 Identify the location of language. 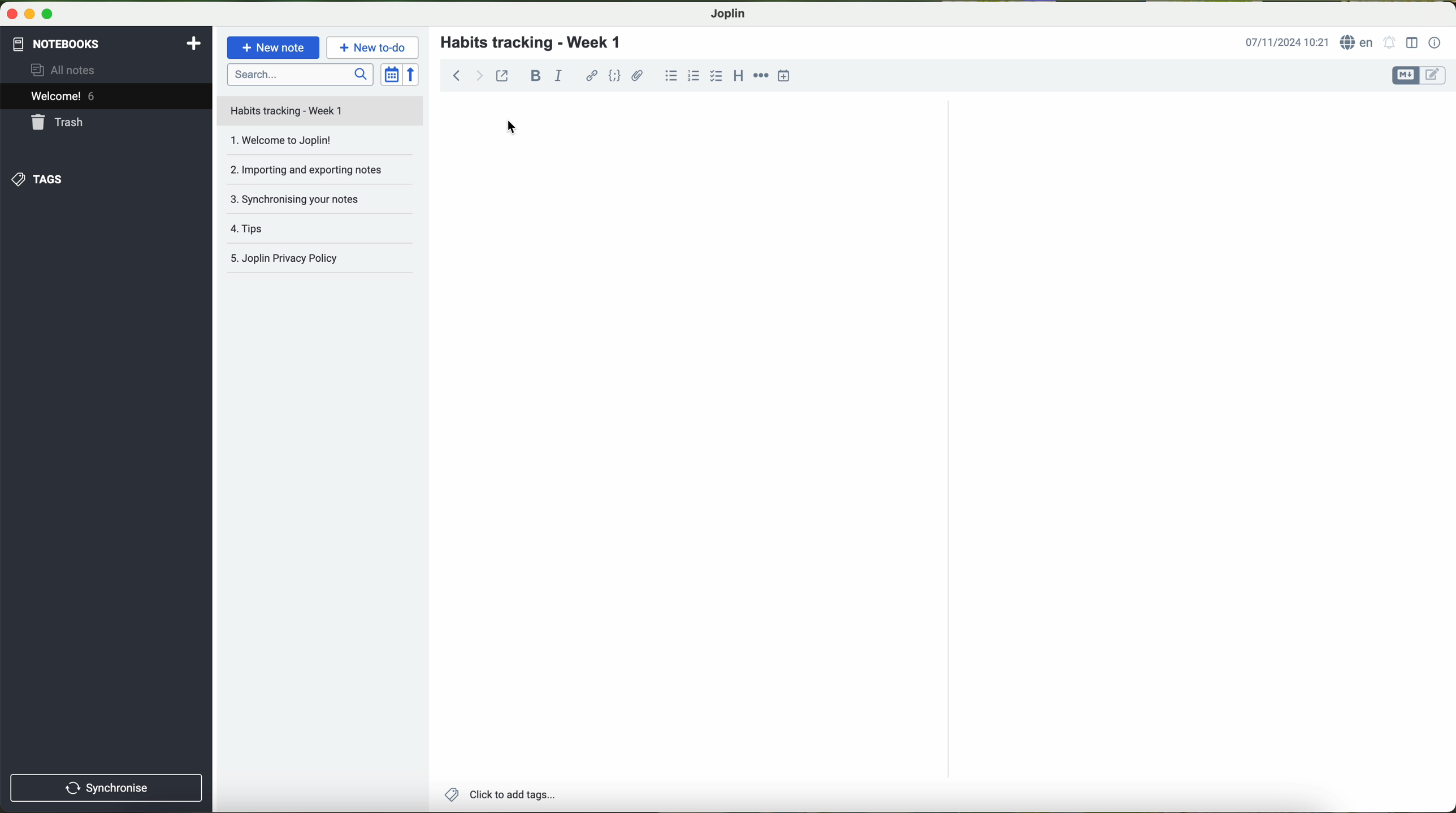
(1358, 42).